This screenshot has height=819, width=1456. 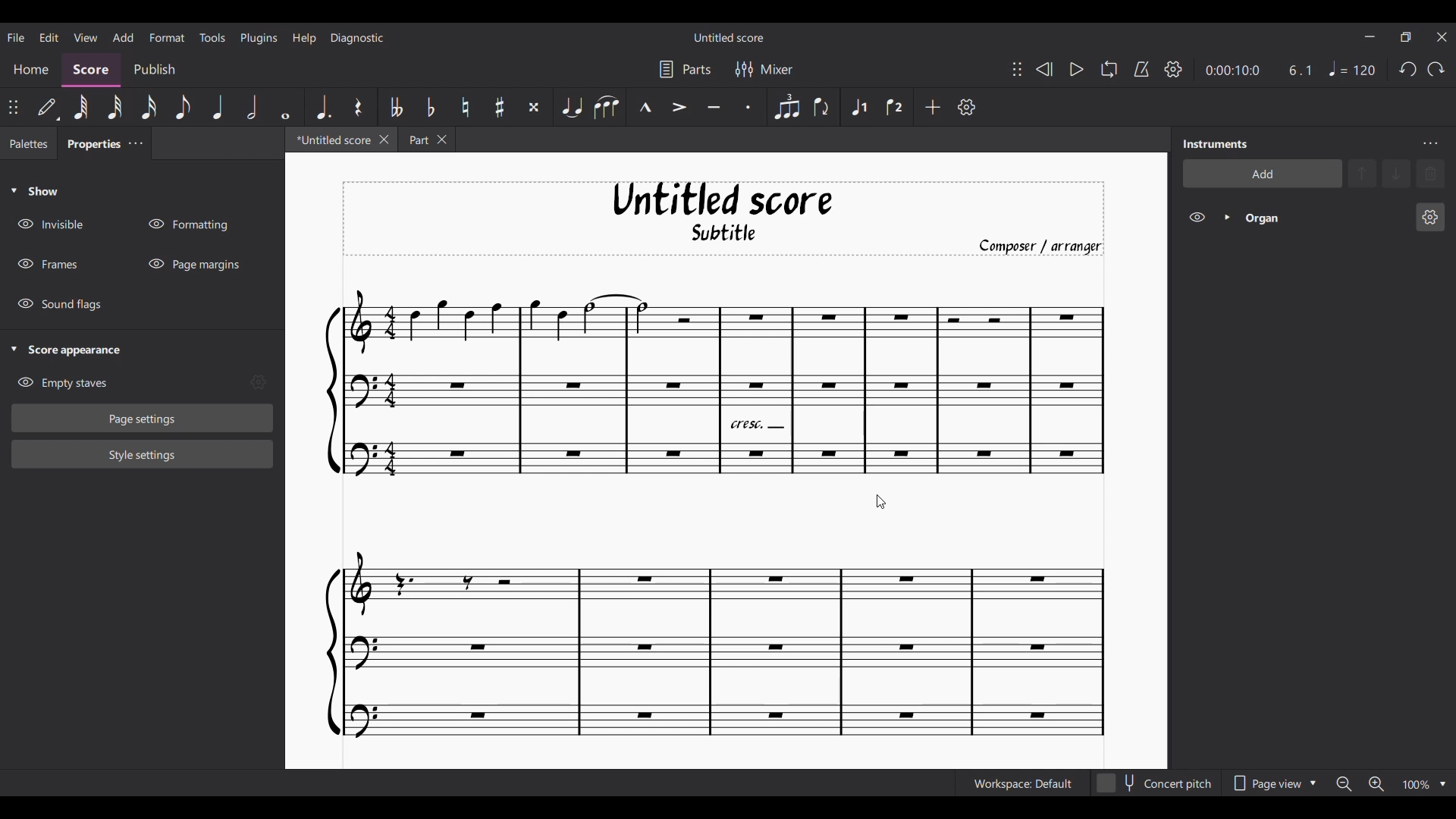 I want to click on Expand Organs, so click(x=1227, y=217).